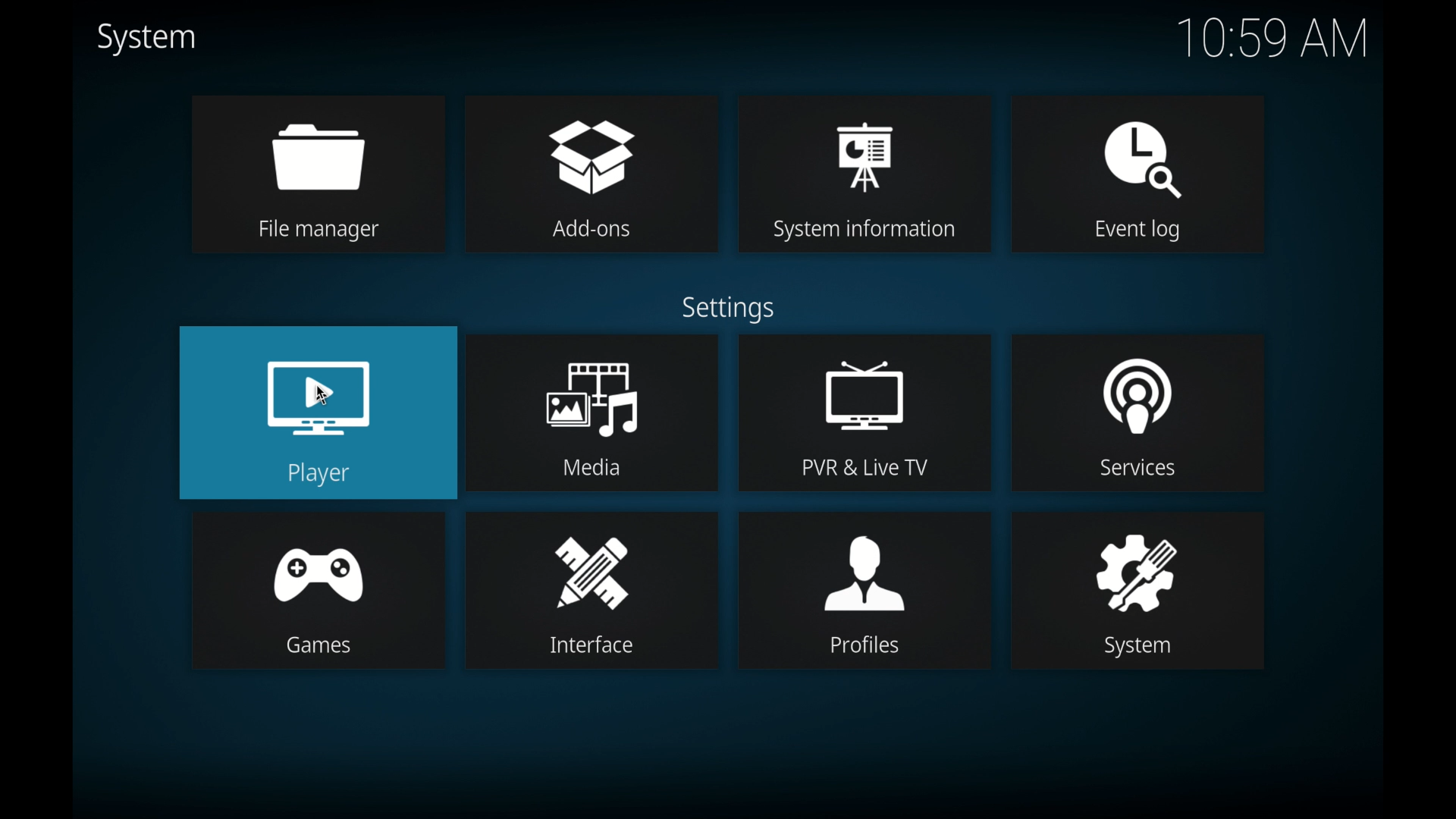  Describe the element at coordinates (149, 39) in the screenshot. I see `system` at that location.